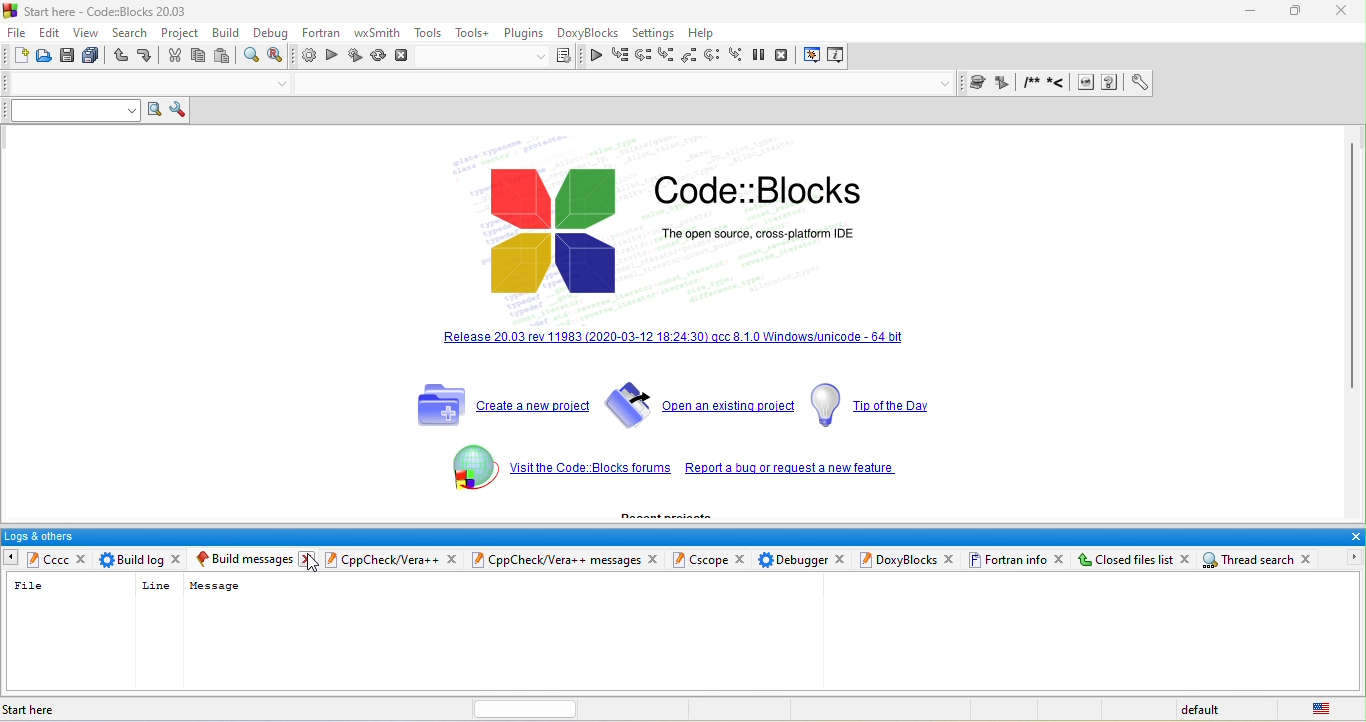 The image size is (1366, 722). I want to click on debugging window, so click(812, 57).